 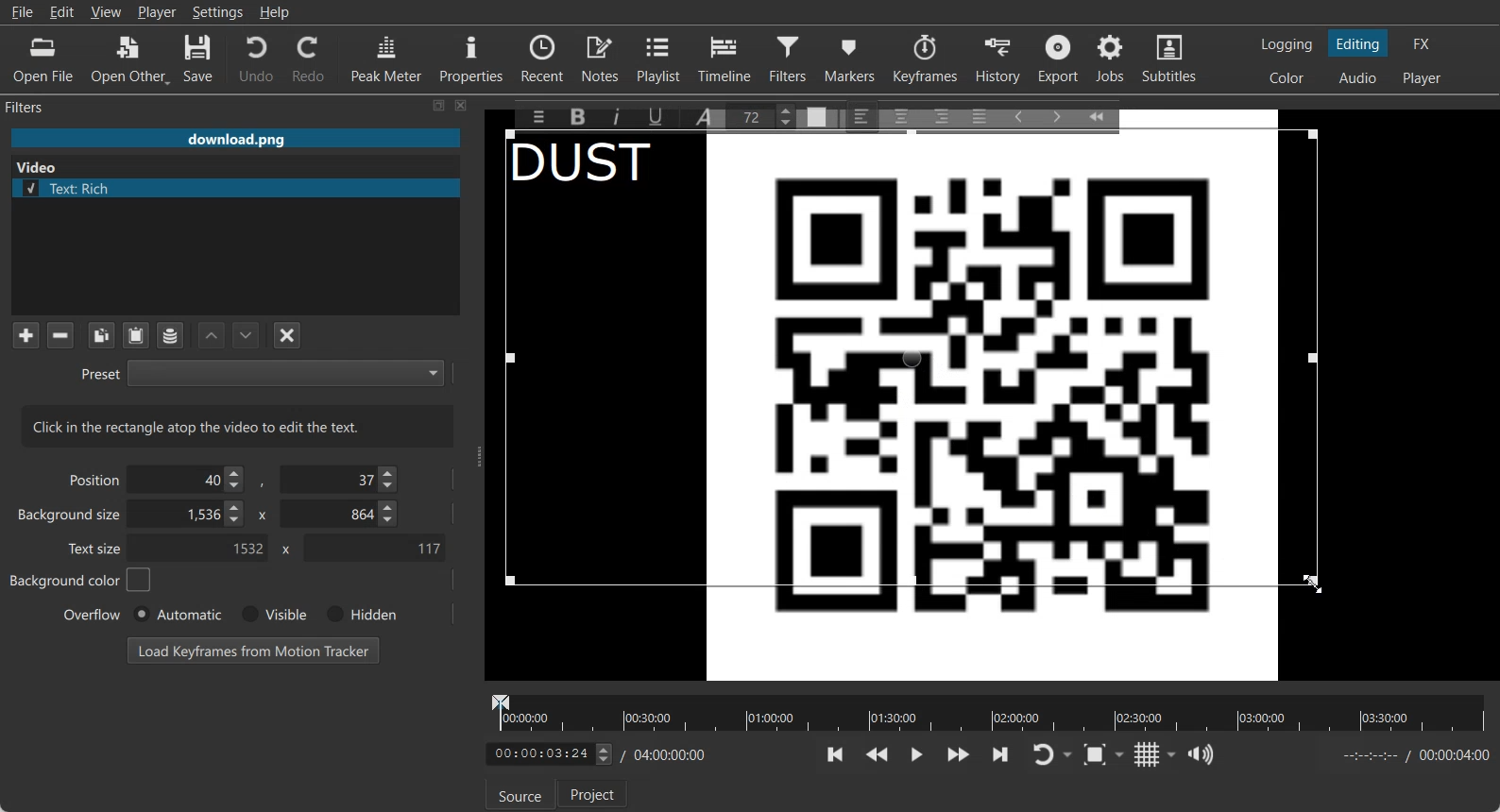 I want to click on Menu, so click(x=534, y=116).